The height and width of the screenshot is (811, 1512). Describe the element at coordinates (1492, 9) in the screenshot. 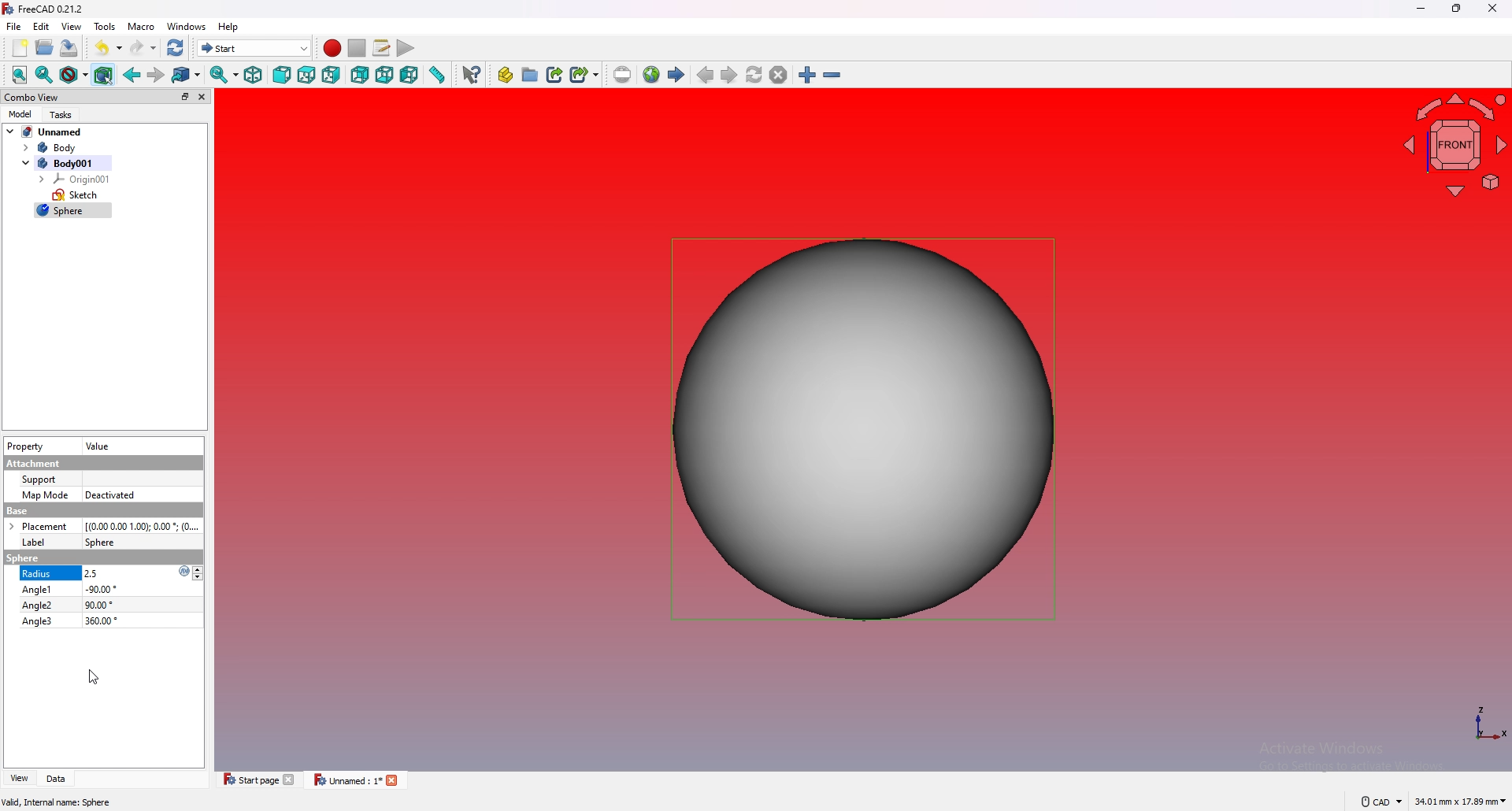

I see `close` at that location.